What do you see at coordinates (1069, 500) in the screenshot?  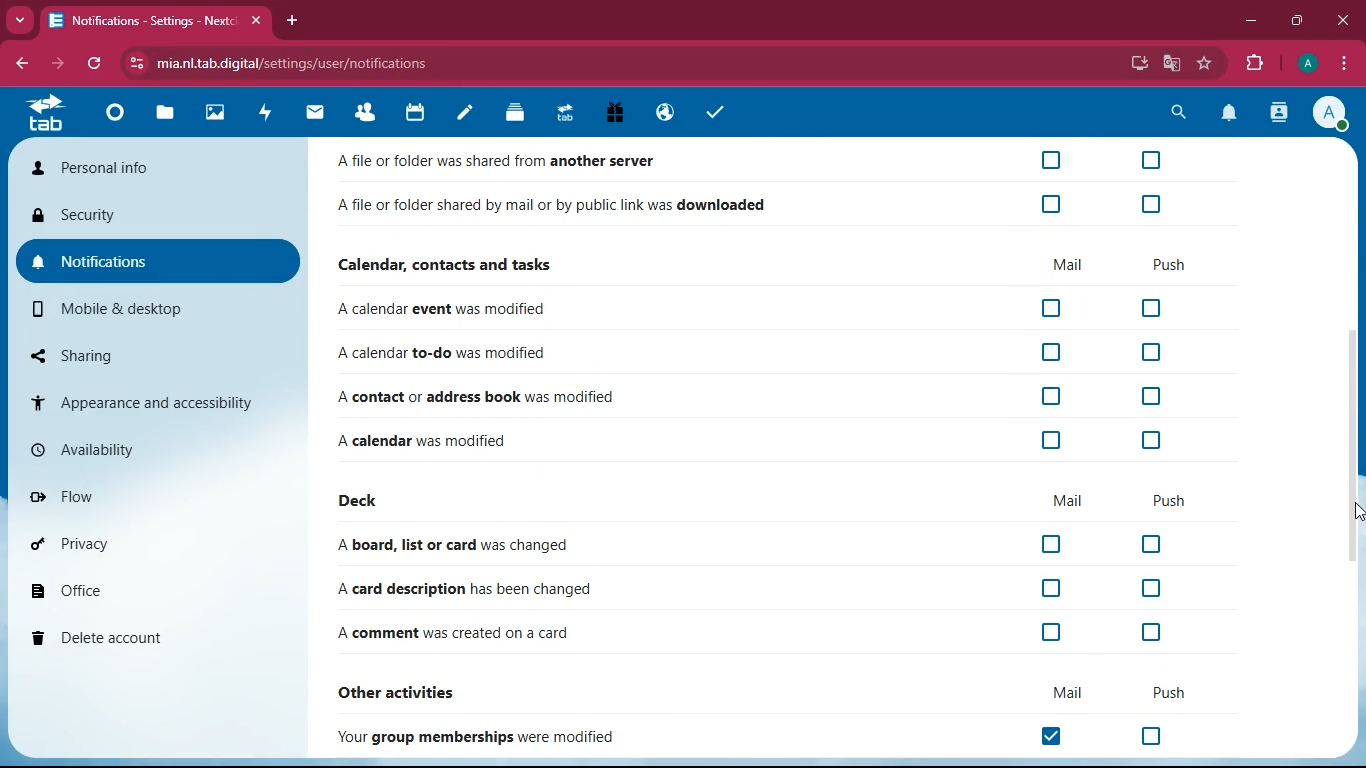 I see `mail` at bounding box center [1069, 500].